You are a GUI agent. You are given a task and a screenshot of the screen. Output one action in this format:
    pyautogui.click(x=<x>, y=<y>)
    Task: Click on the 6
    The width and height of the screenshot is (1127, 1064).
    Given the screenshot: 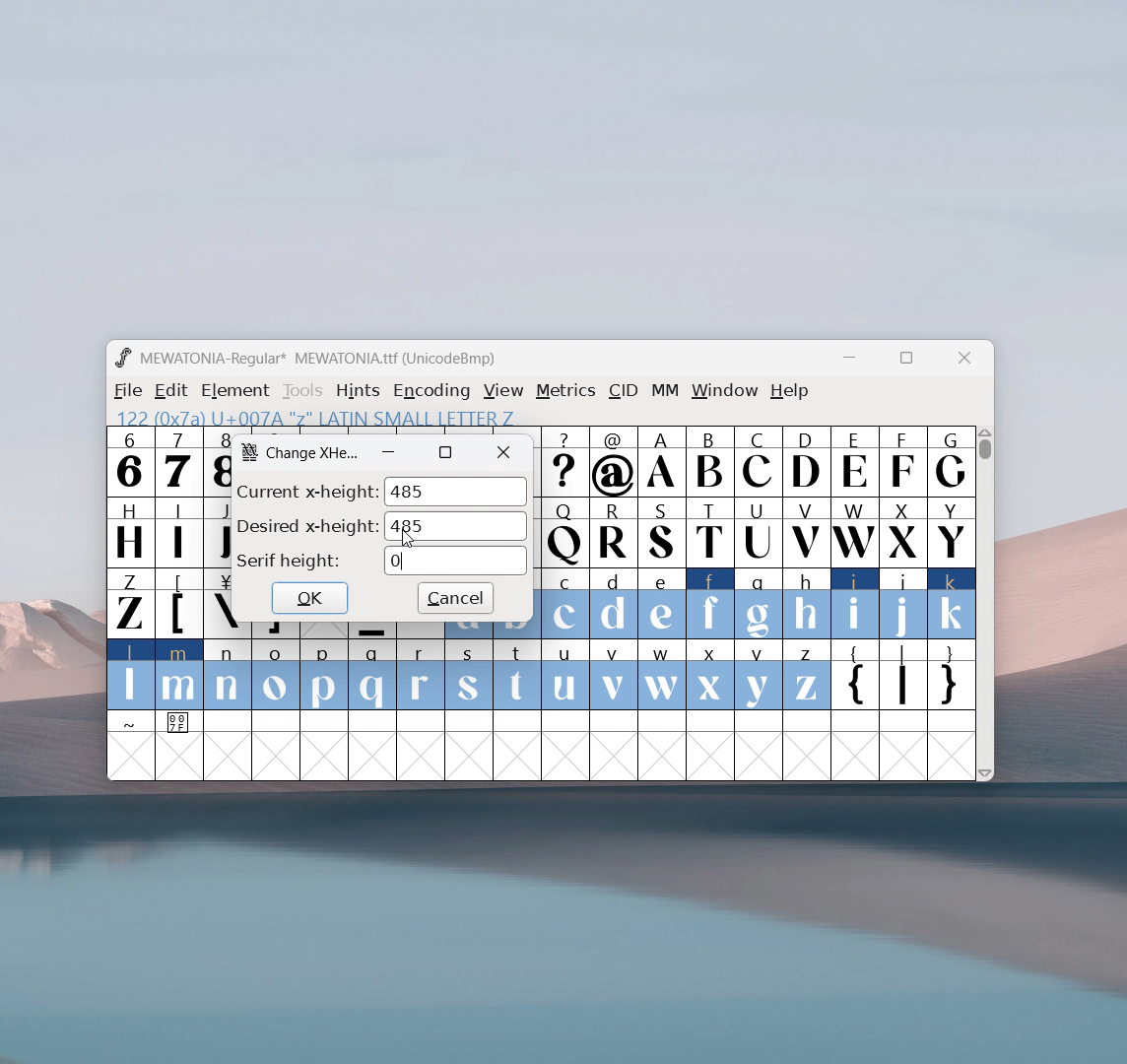 What is the action you would take?
    pyautogui.click(x=130, y=461)
    